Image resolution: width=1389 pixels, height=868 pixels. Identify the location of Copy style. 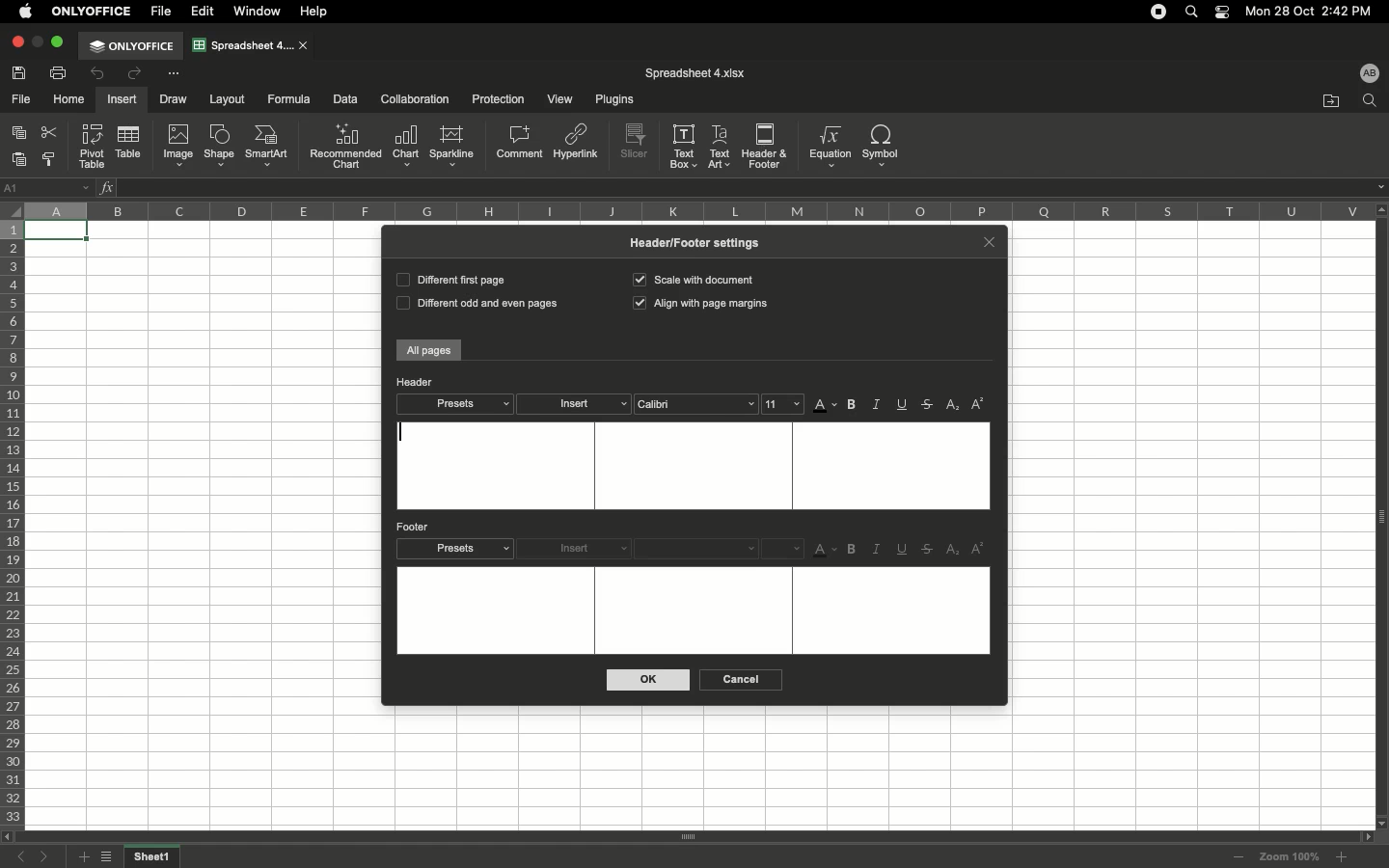
(51, 160).